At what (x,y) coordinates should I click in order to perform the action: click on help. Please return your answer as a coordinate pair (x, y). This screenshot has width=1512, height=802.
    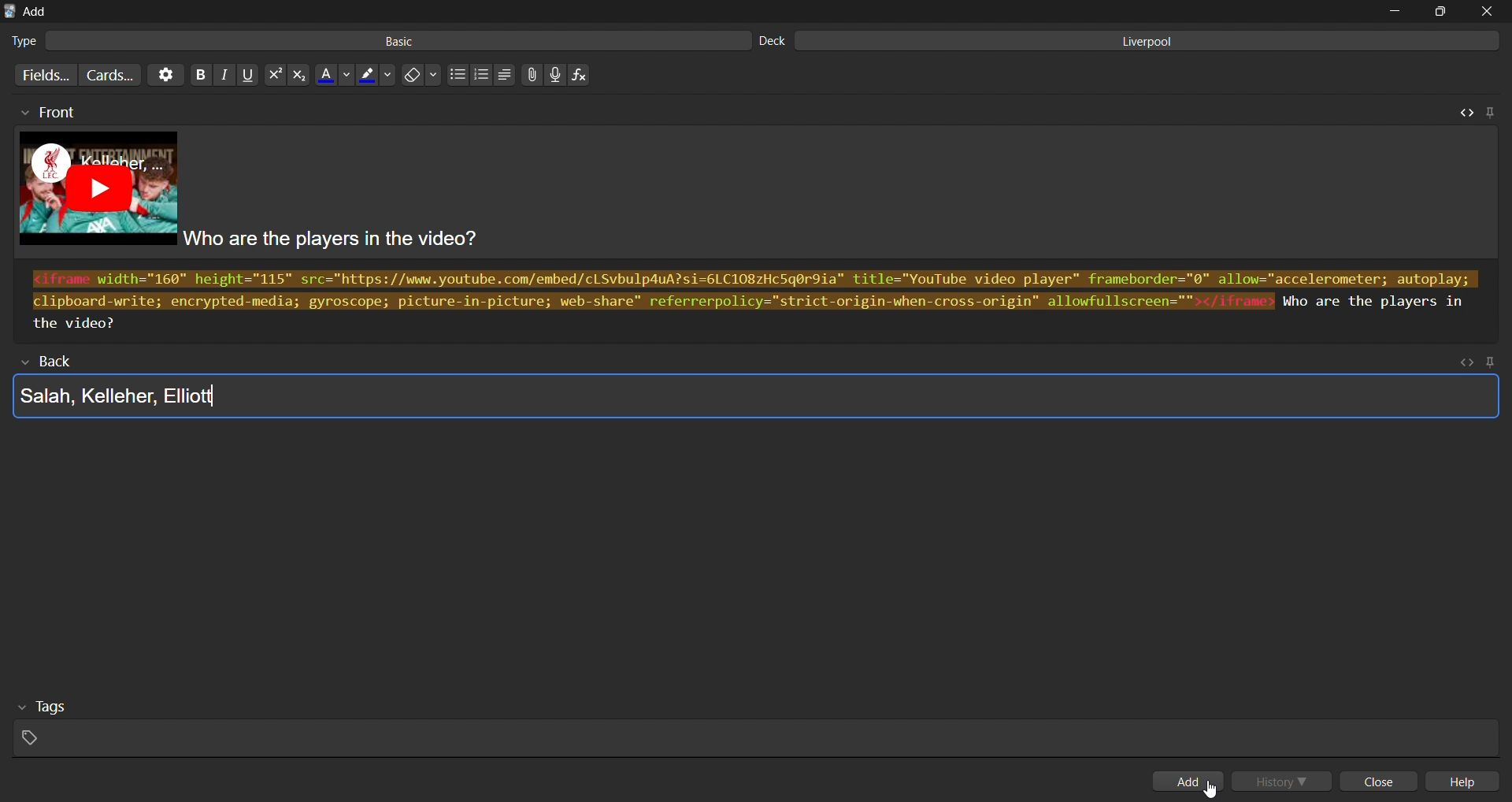
    Looking at the image, I should click on (1469, 782).